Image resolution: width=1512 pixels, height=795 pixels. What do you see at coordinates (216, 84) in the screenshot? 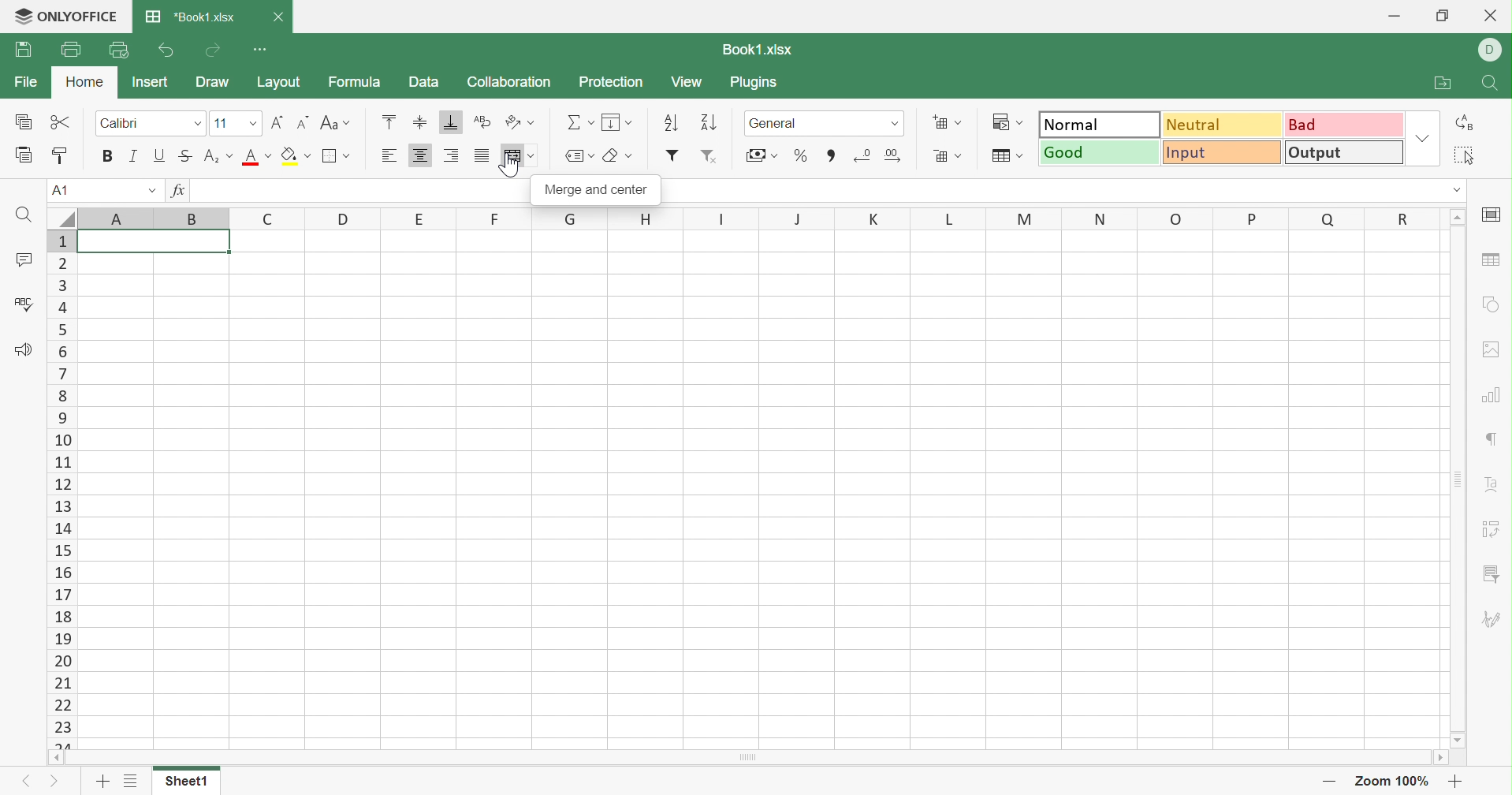
I see `Draw` at bounding box center [216, 84].